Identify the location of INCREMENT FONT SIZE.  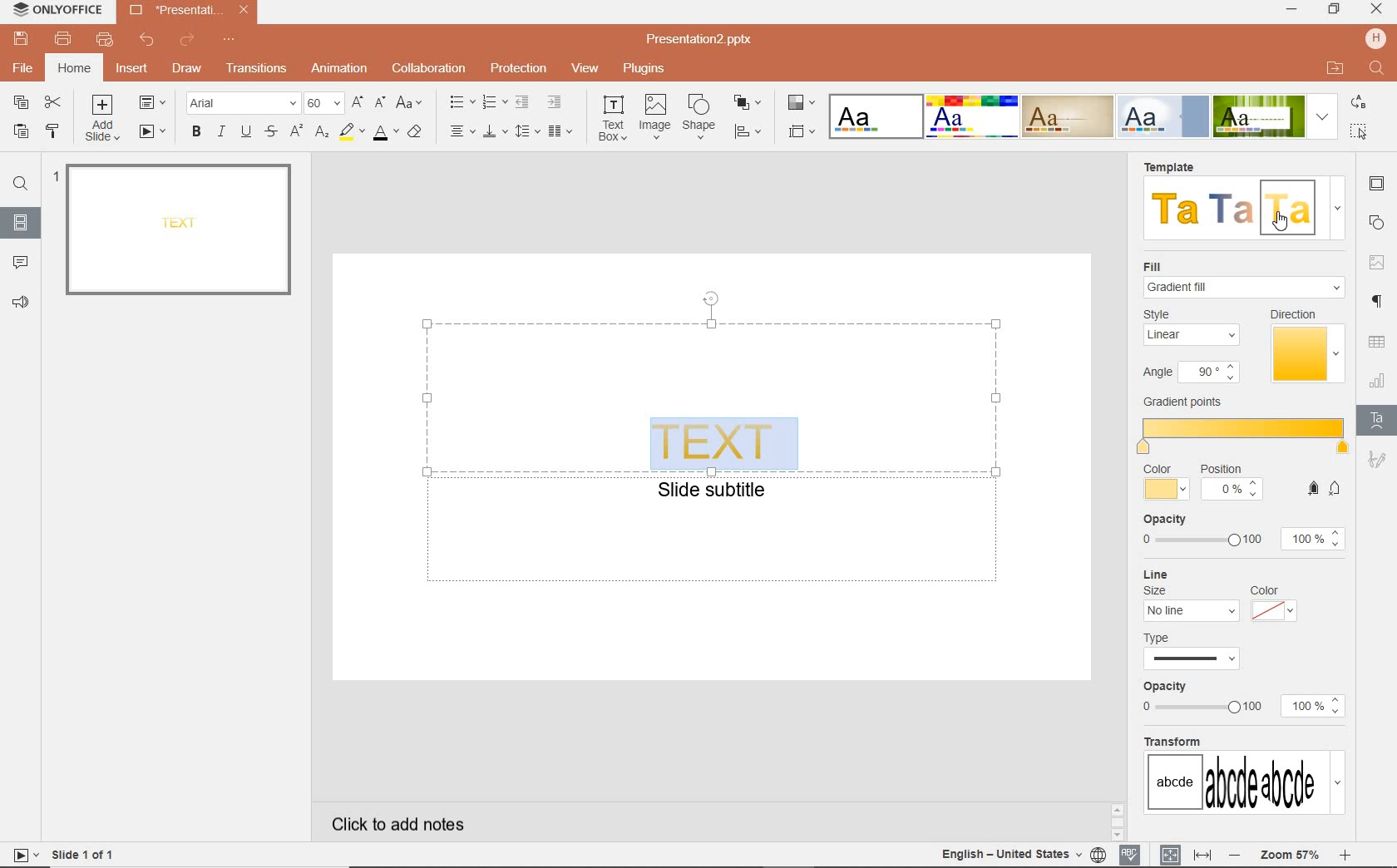
(358, 103).